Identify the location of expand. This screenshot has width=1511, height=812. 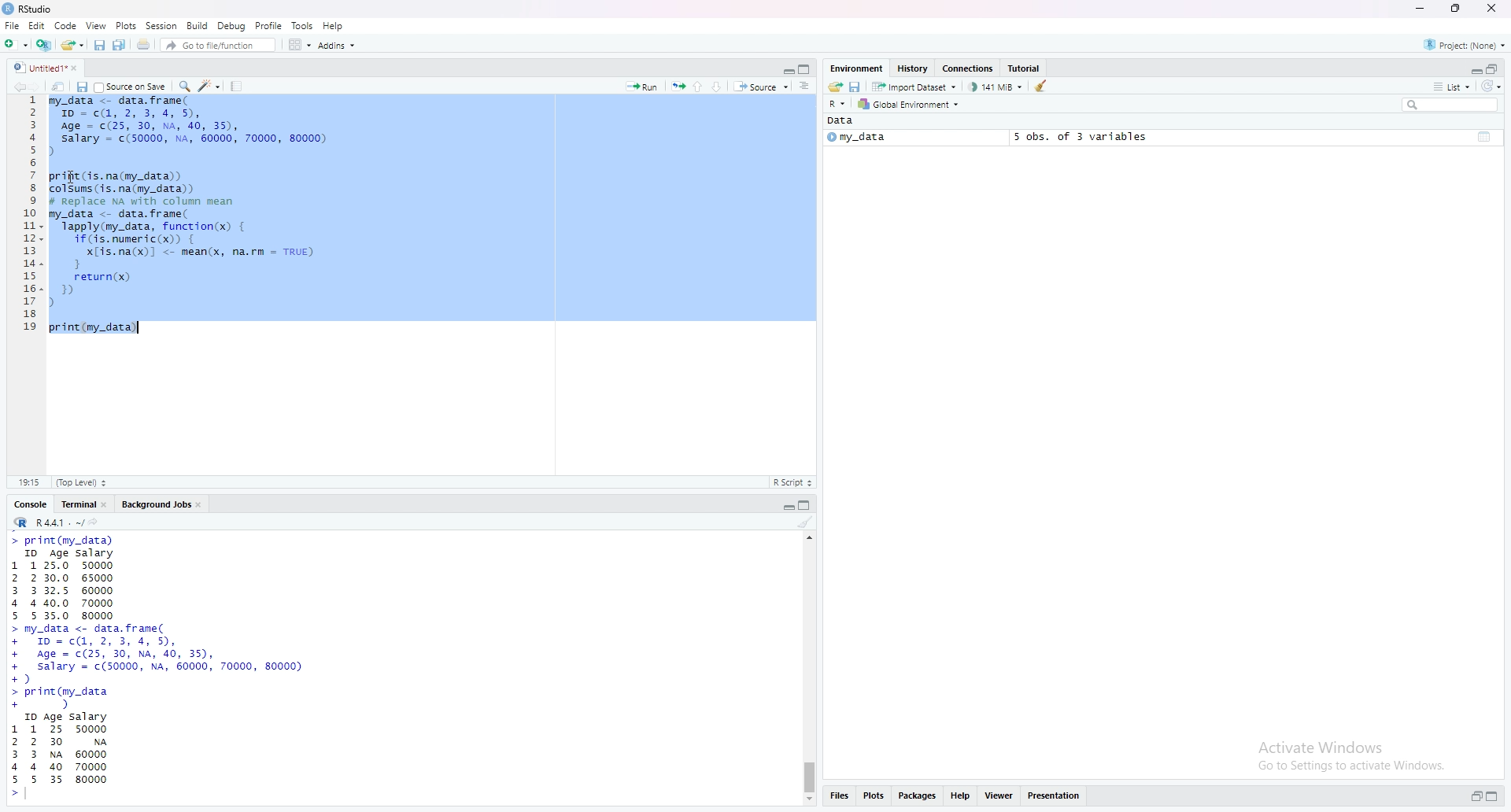
(1474, 71).